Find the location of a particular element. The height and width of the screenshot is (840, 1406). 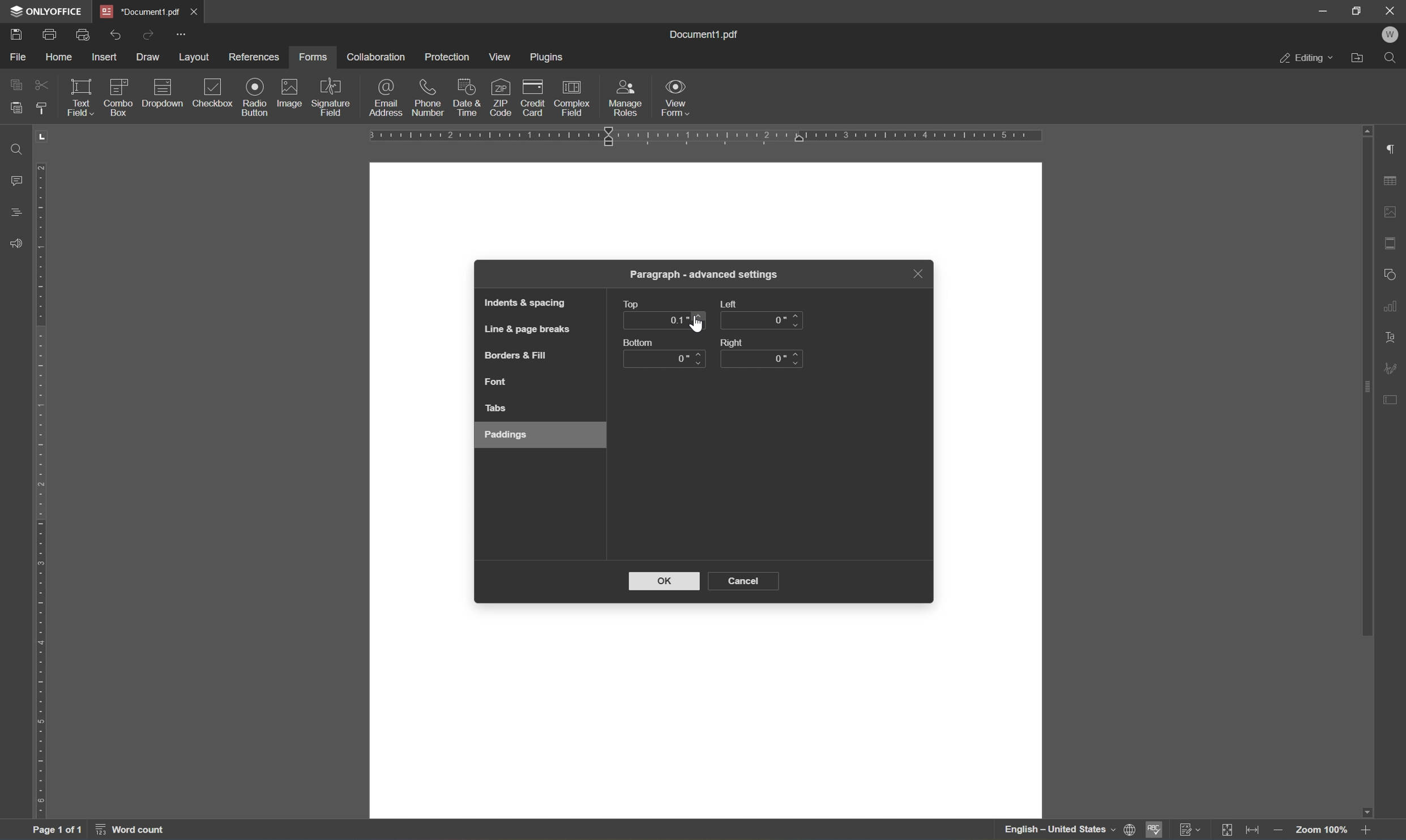

ruler is located at coordinates (43, 491).